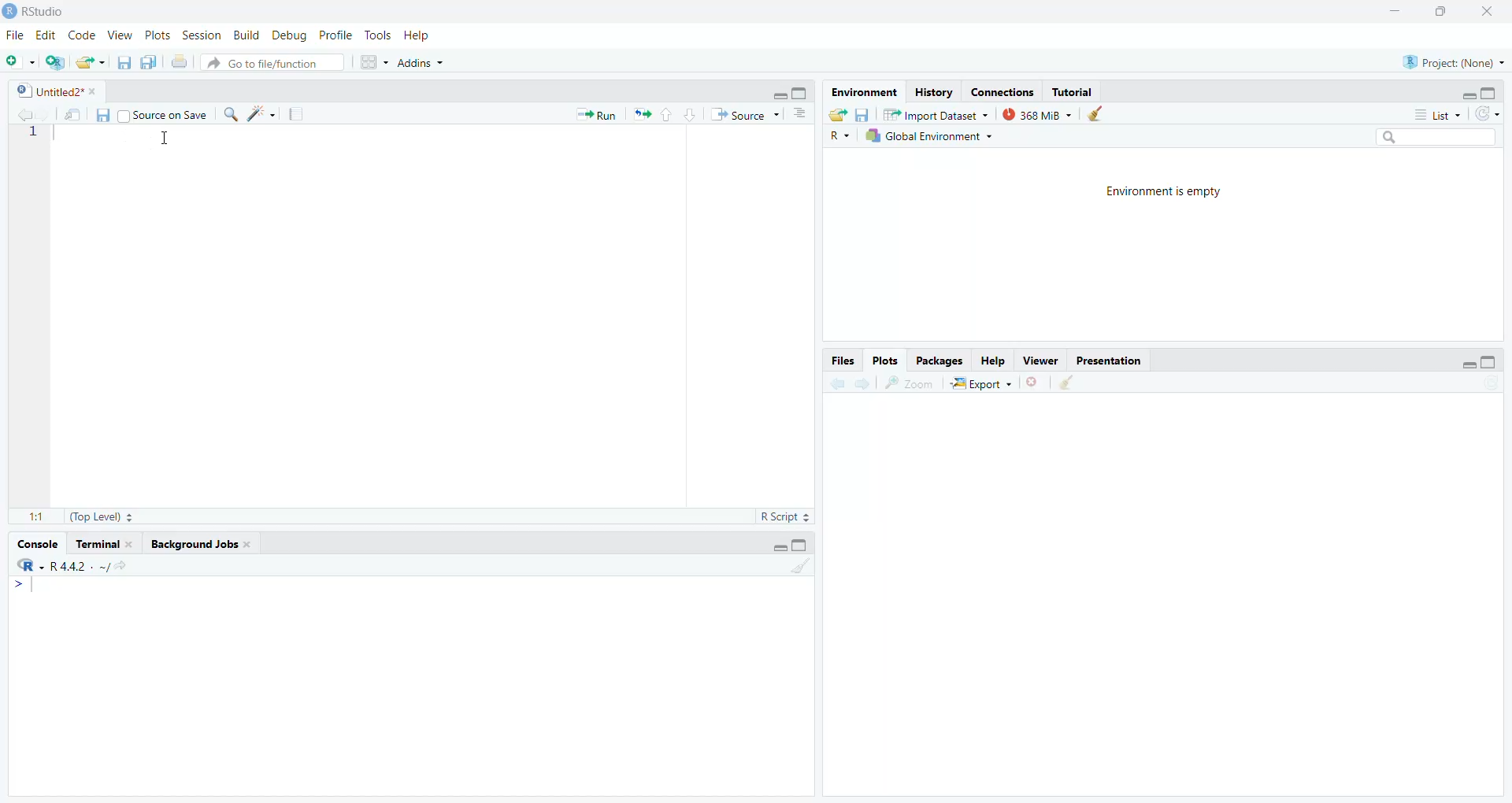  Describe the element at coordinates (1452, 62) in the screenshot. I see `Project: (None)` at that location.